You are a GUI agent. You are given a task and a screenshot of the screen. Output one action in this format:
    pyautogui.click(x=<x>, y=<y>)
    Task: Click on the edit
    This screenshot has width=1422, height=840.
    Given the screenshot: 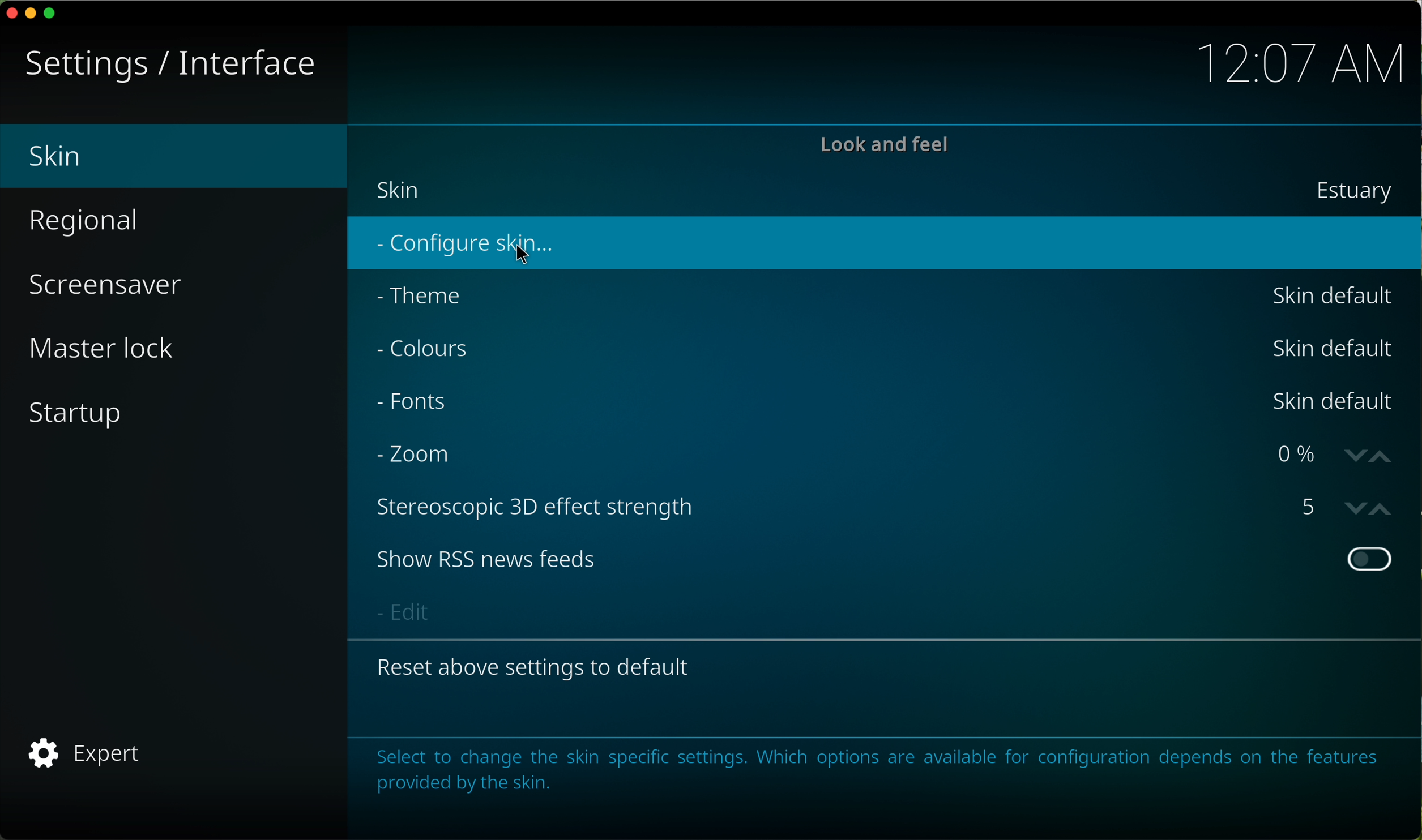 What is the action you would take?
    pyautogui.click(x=405, y=611)
    